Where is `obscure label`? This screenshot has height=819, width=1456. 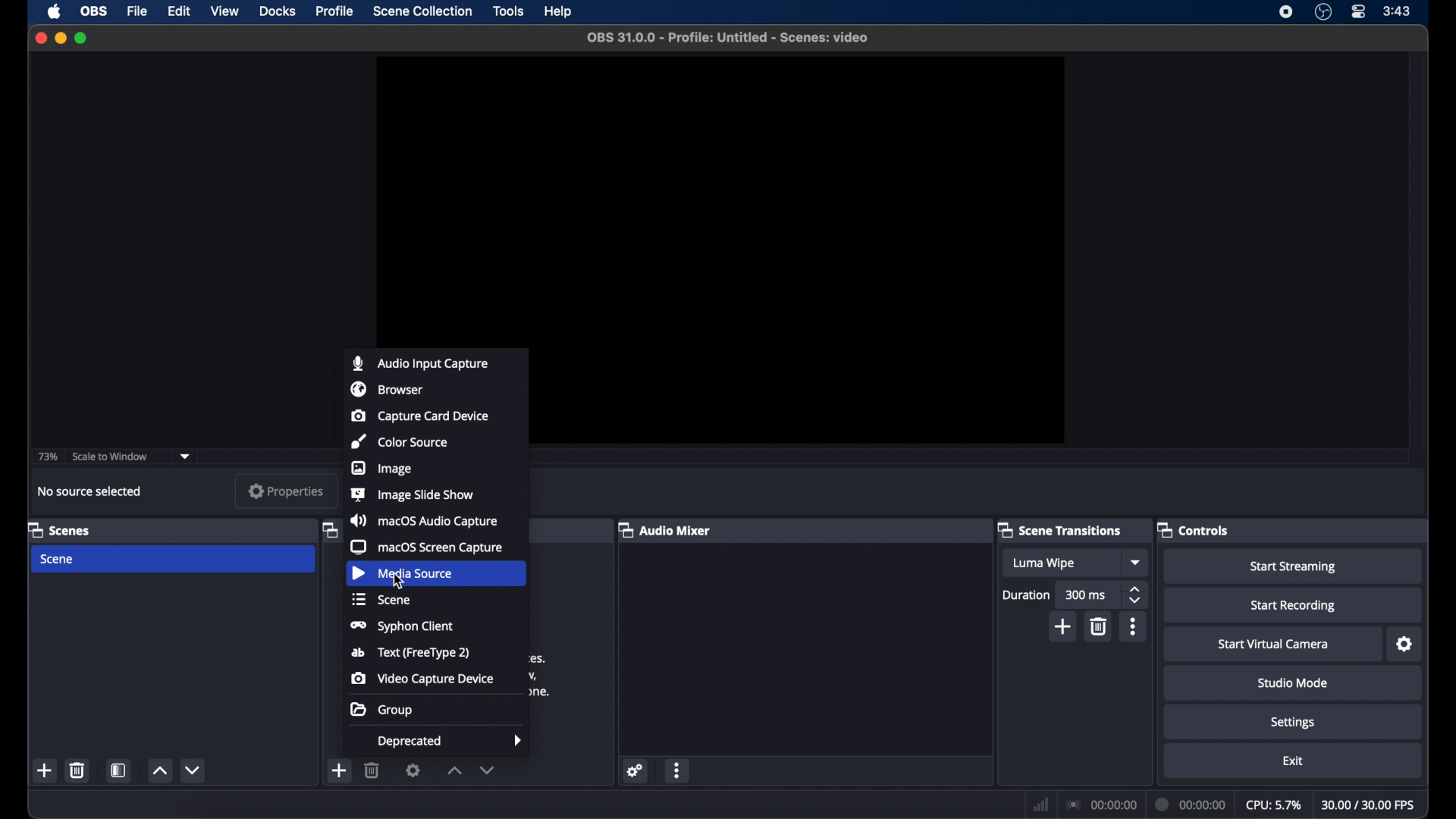 obscure label is located at coordinates (328, 530).